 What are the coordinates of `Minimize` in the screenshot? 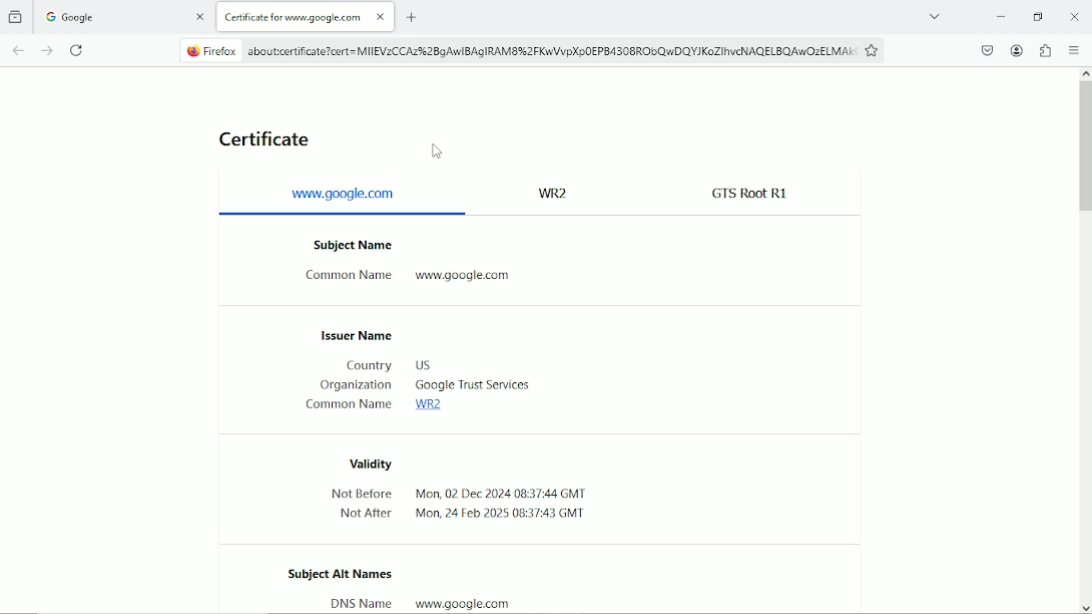 It's located at (997, 15).